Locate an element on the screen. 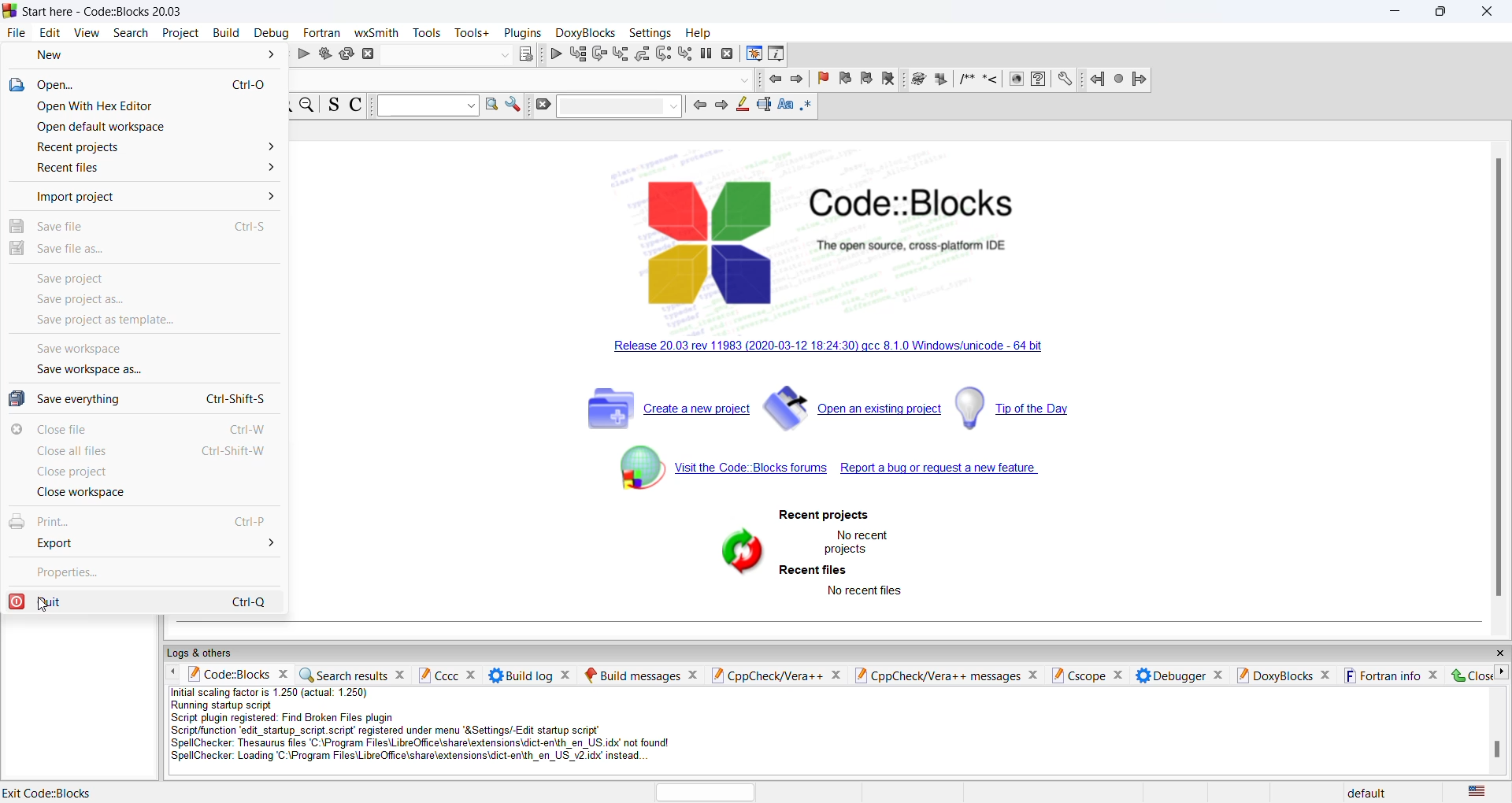 This screenshot has height=803, width=1512. step out is located at coordinates (643, 54).